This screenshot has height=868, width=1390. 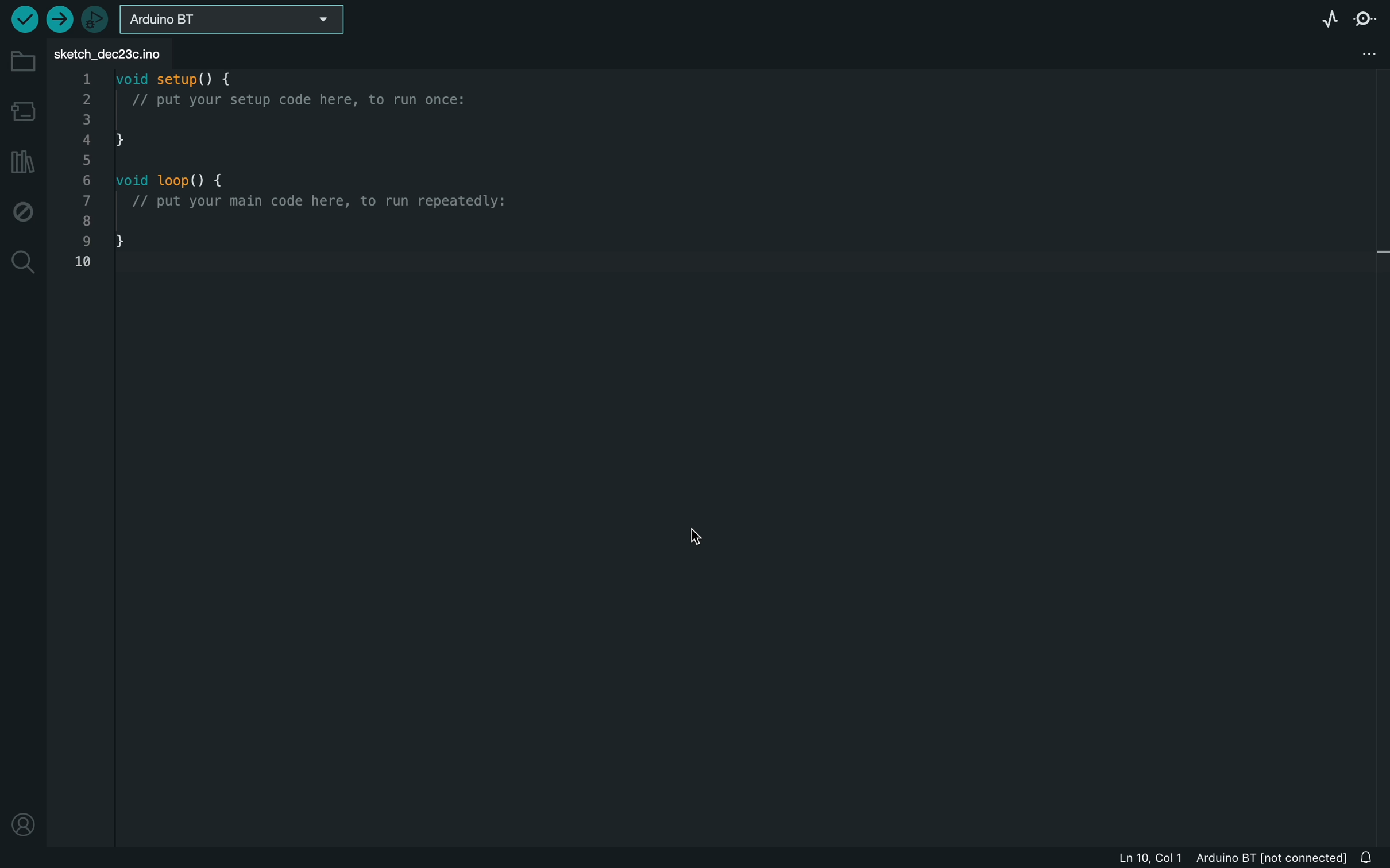 I want to click on board manager, so click(x=22, y=109).